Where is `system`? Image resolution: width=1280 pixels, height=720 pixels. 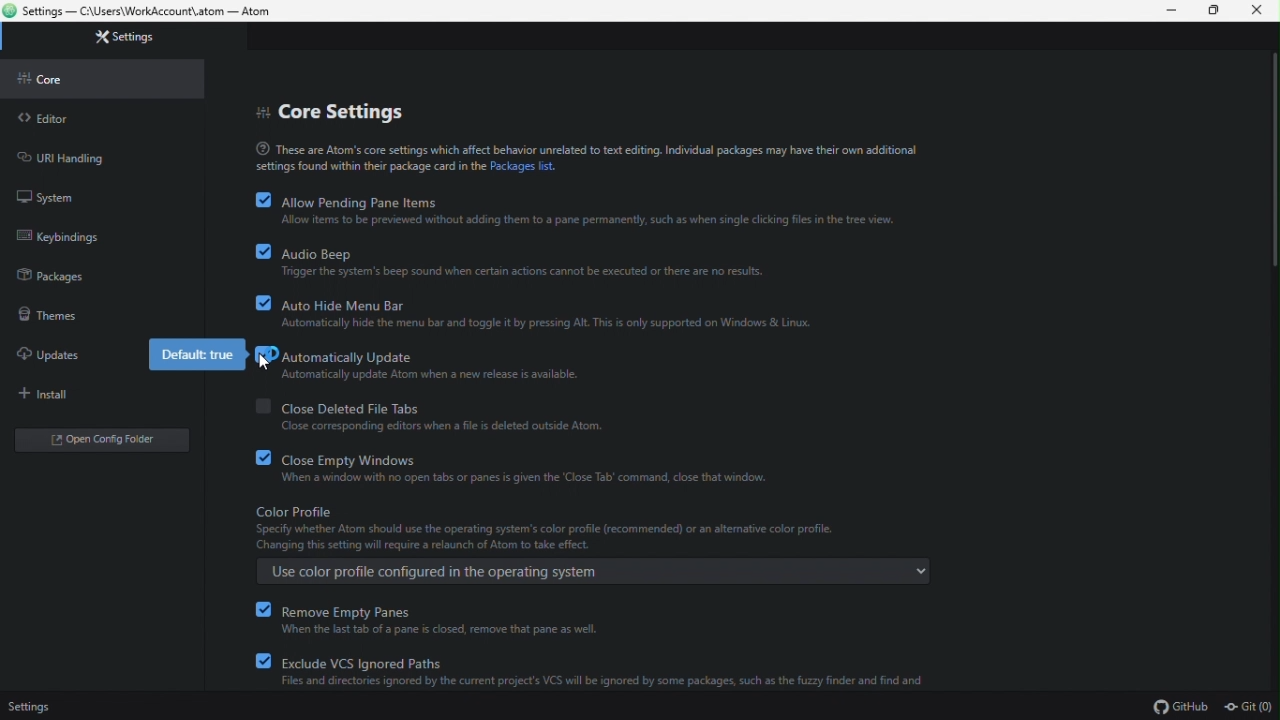
system is located at coordinates (54, 195).